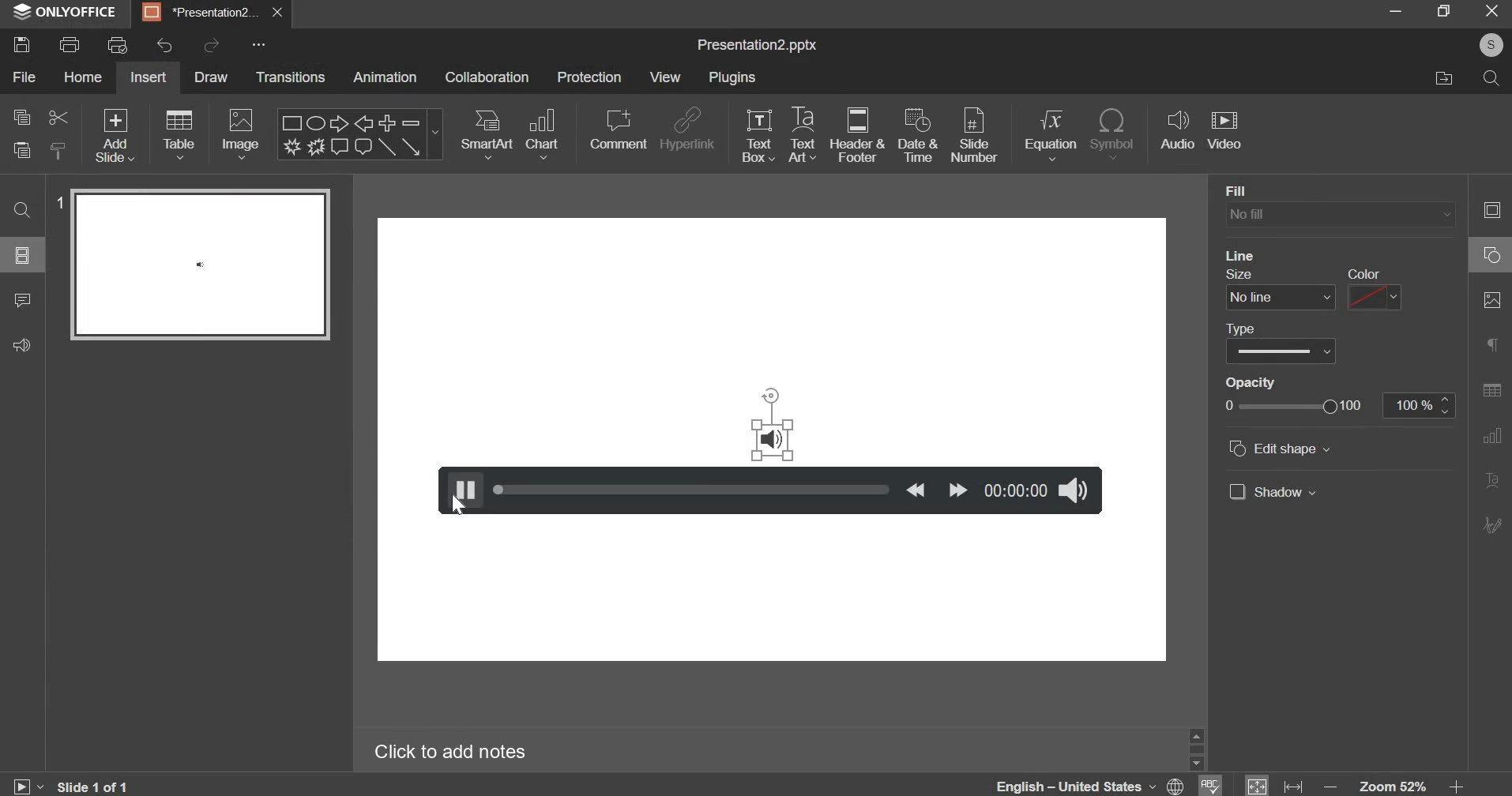  I want to click on cut, so click(57, 118).